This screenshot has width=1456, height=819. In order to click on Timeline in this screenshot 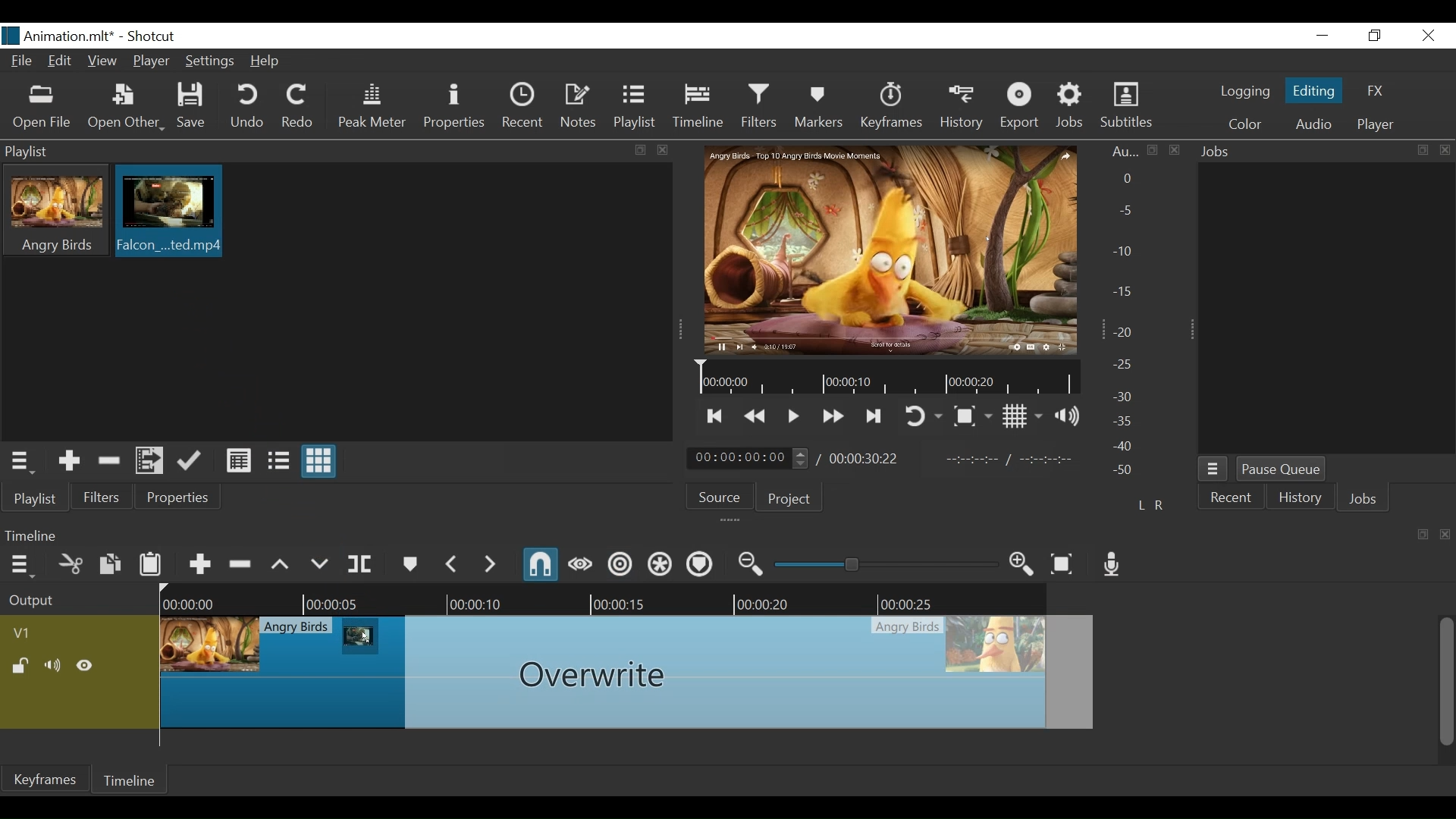, I will do `click(700, 107)`.